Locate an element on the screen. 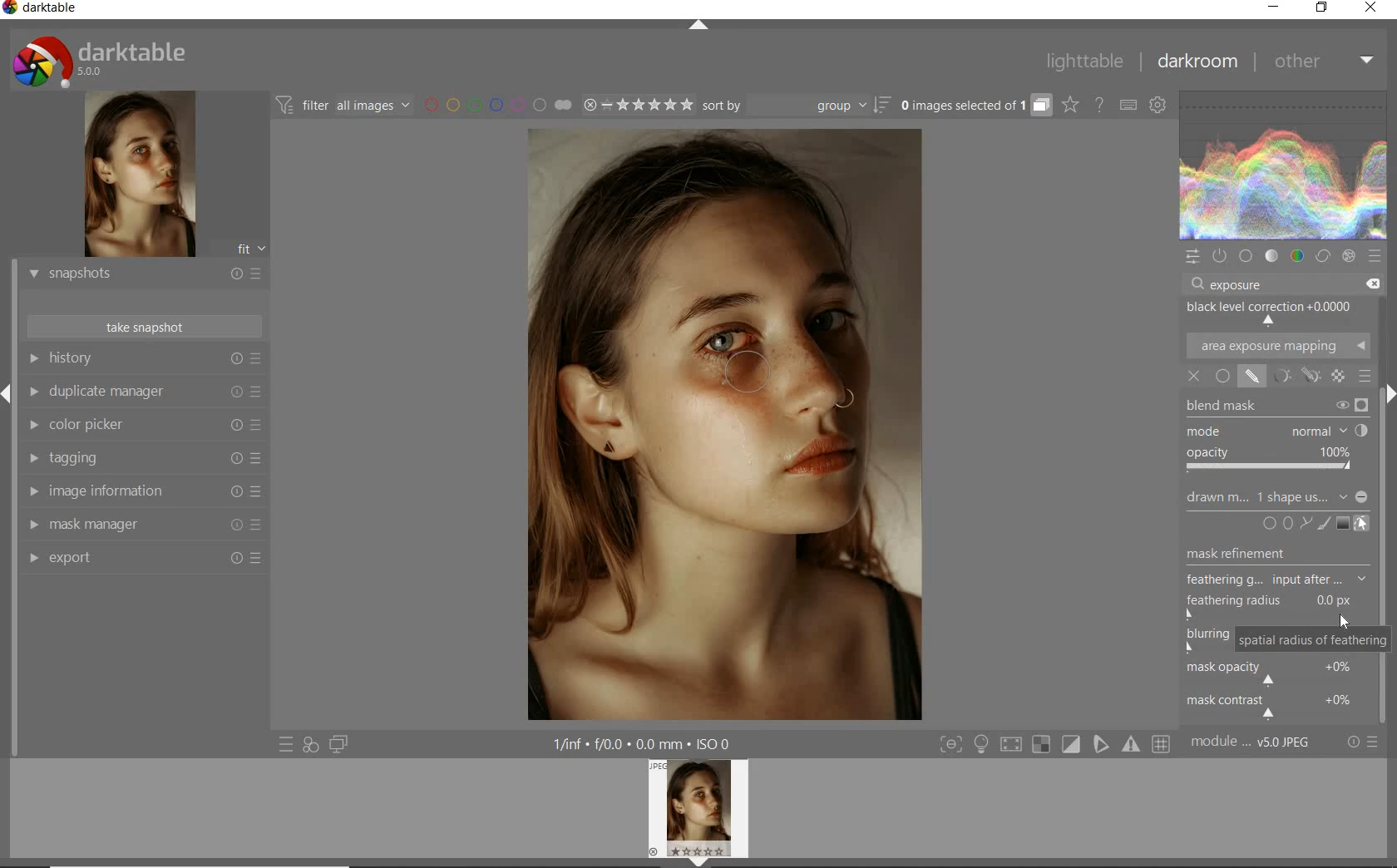 This screenshot has width=1397, height=868. base is located at coordinates (1246, 256).